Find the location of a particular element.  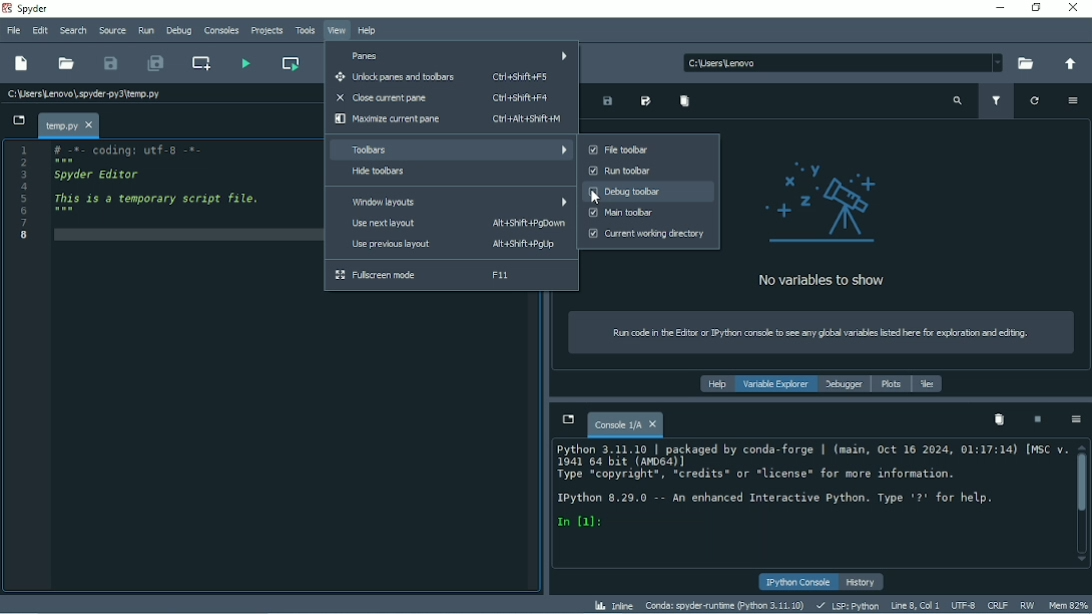

Instruction is located at coordinates (814, 333).